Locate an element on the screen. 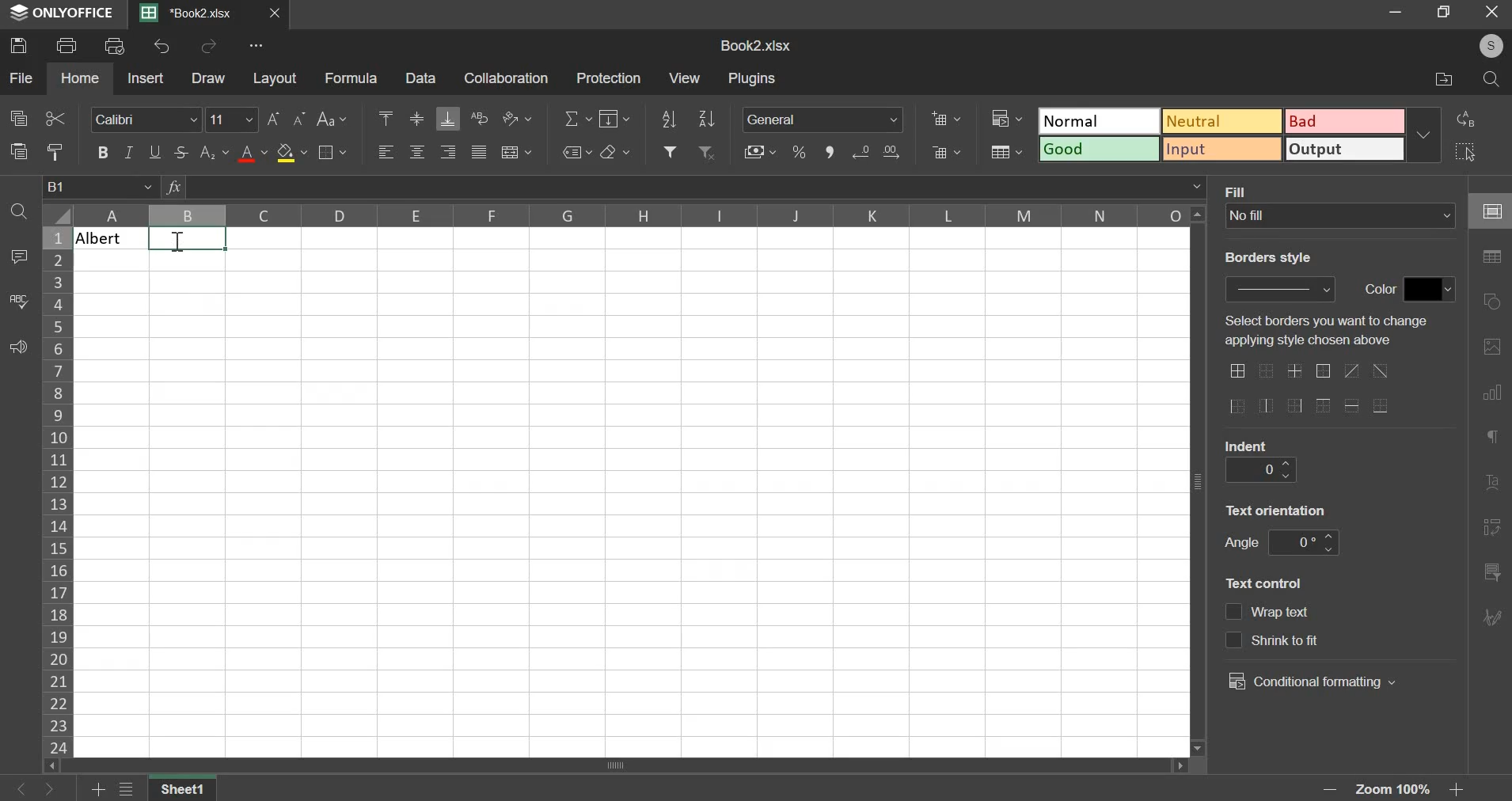 The image size is (1512, 801). border style is located at coordinates (1286, 290).